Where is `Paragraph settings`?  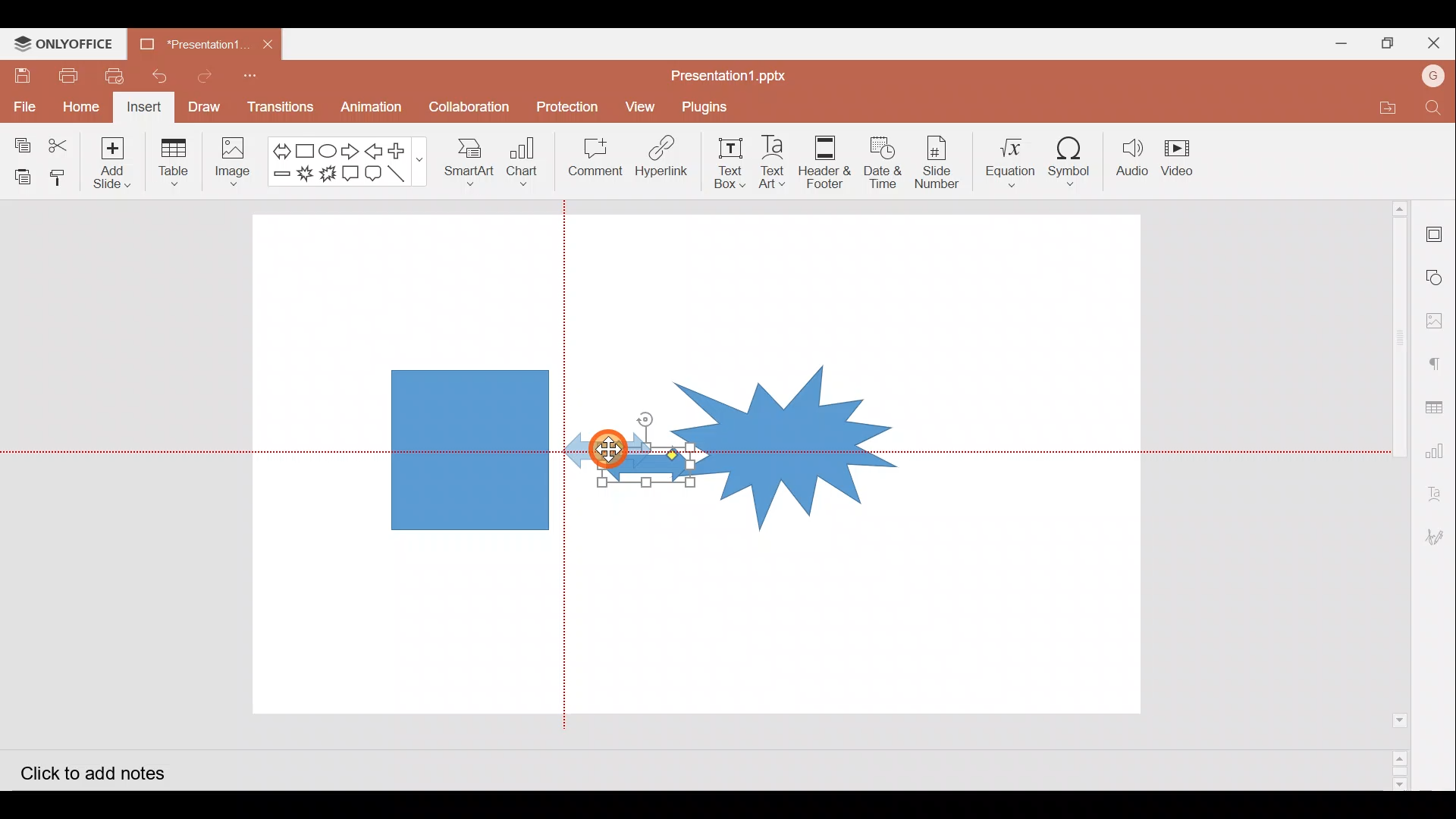
Paragraph settings is located at coordinates (1436, 366).